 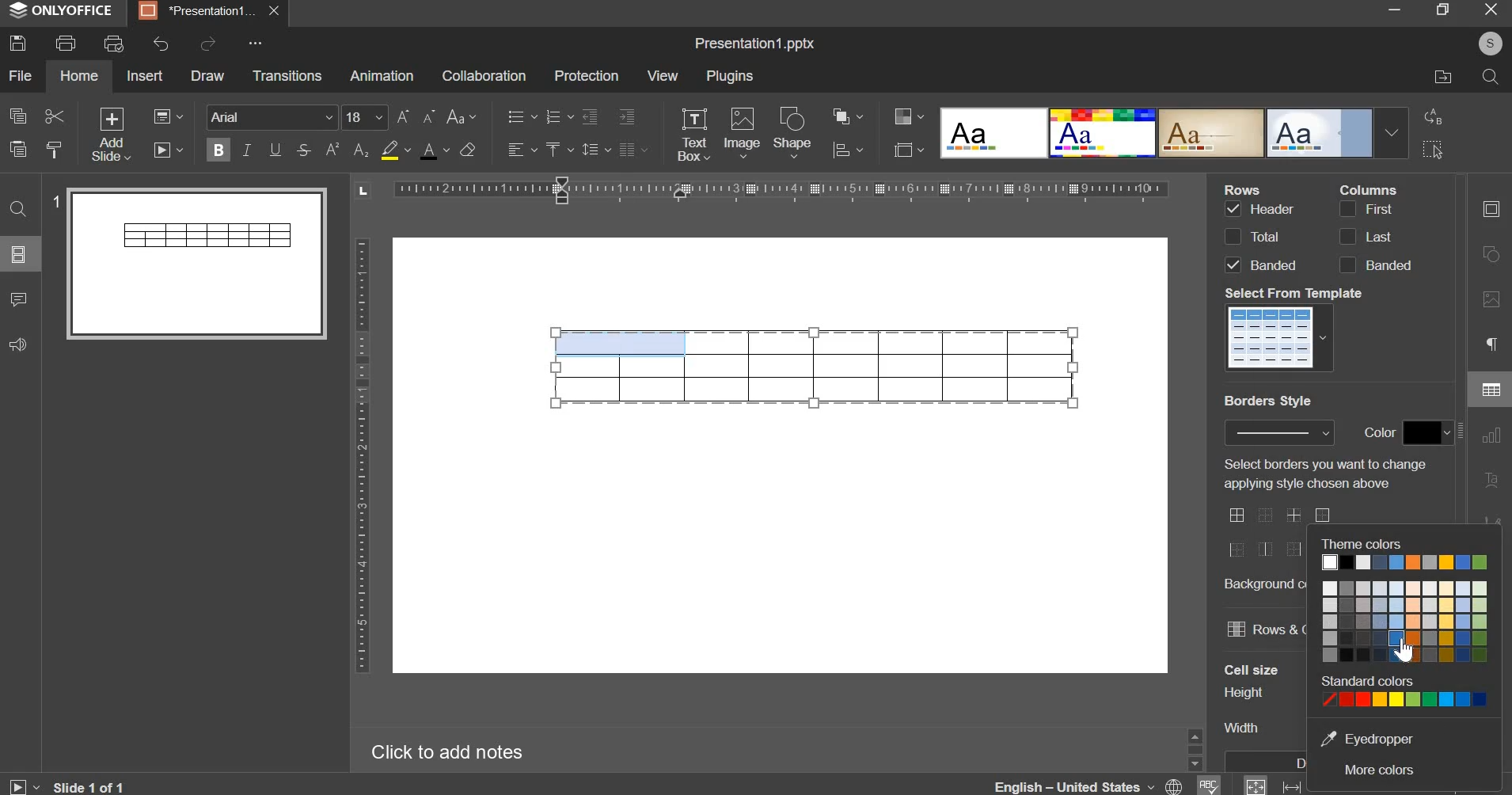 I want to click on slide menu, so click(x=18, y=254).